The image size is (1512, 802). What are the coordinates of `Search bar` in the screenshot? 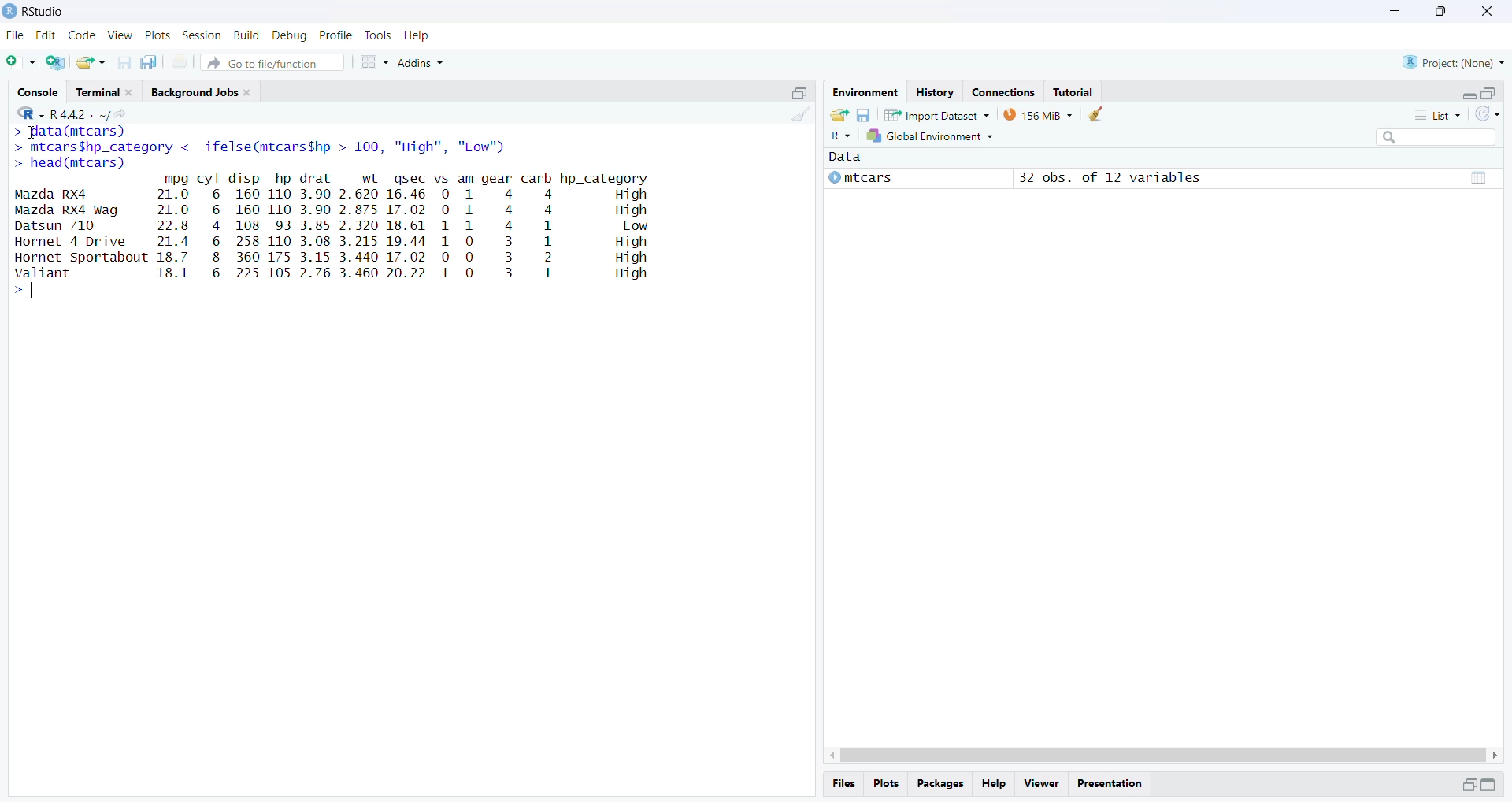 It's located at (1443, 139).